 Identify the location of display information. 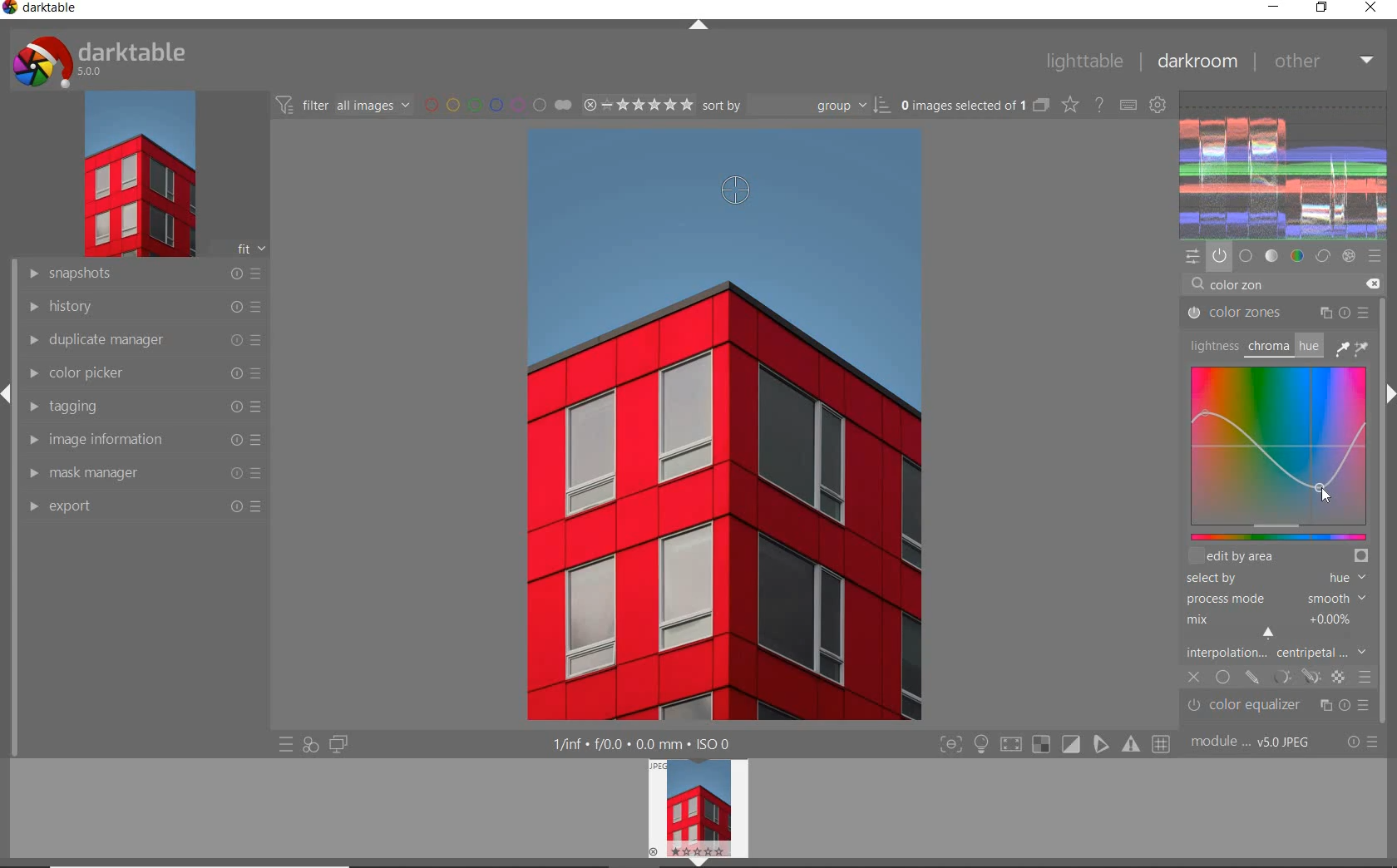
(643, 744).